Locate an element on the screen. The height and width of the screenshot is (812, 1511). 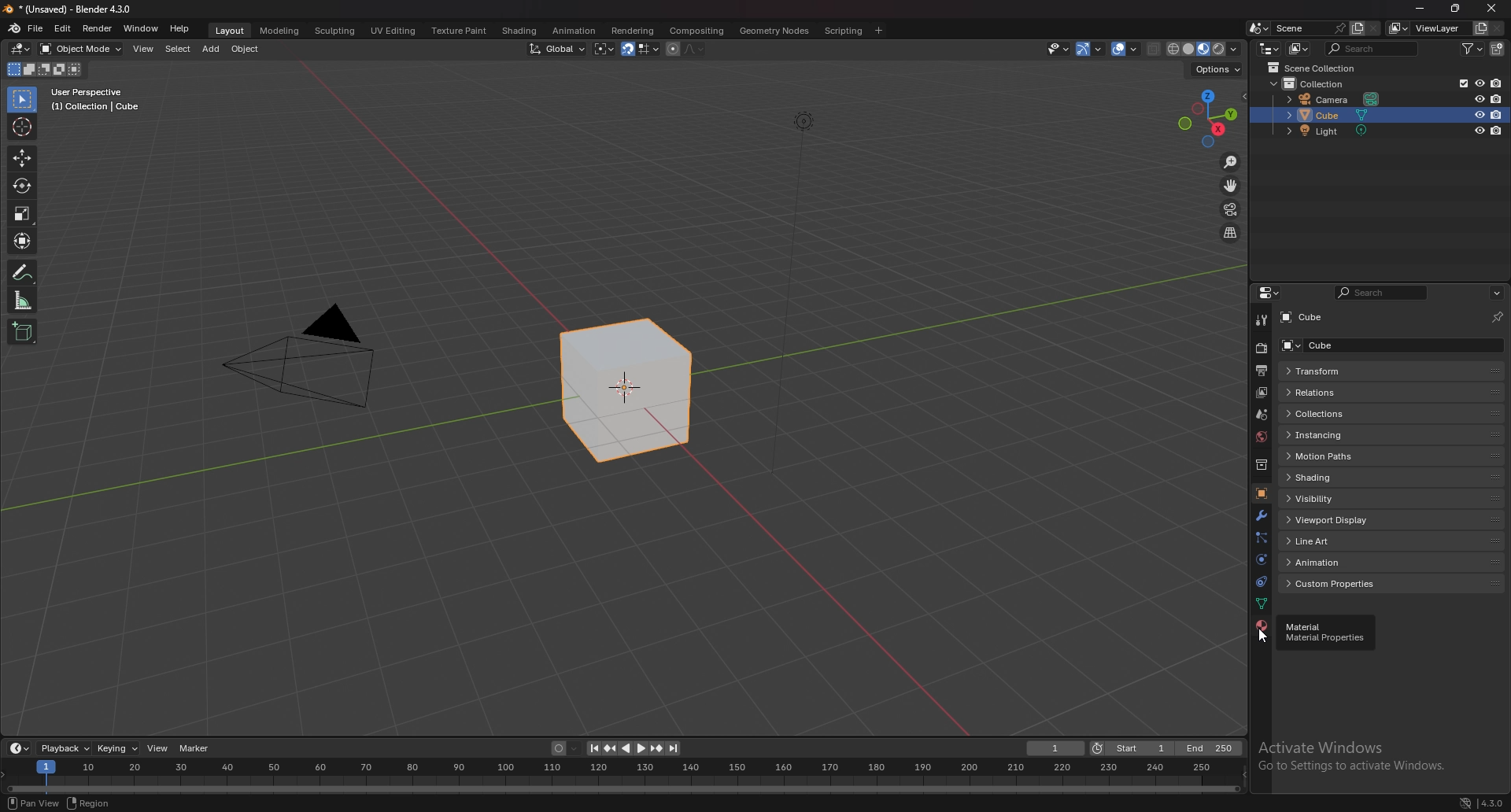
rotate view is located at coordinates (85, 802).